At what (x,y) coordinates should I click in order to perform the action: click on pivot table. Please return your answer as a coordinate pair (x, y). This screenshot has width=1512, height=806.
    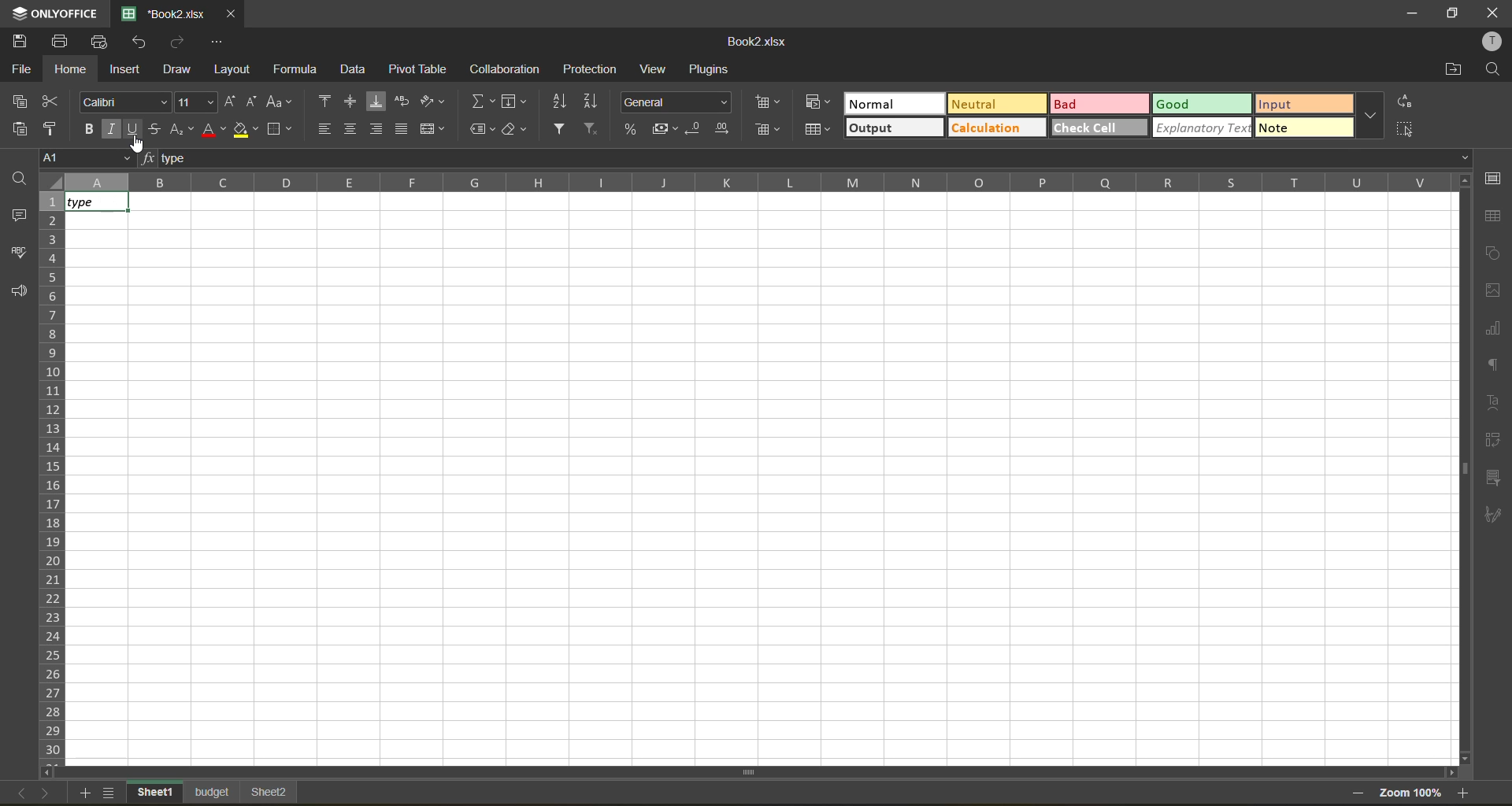
    Looking at the image, I should click on (1490, 440).